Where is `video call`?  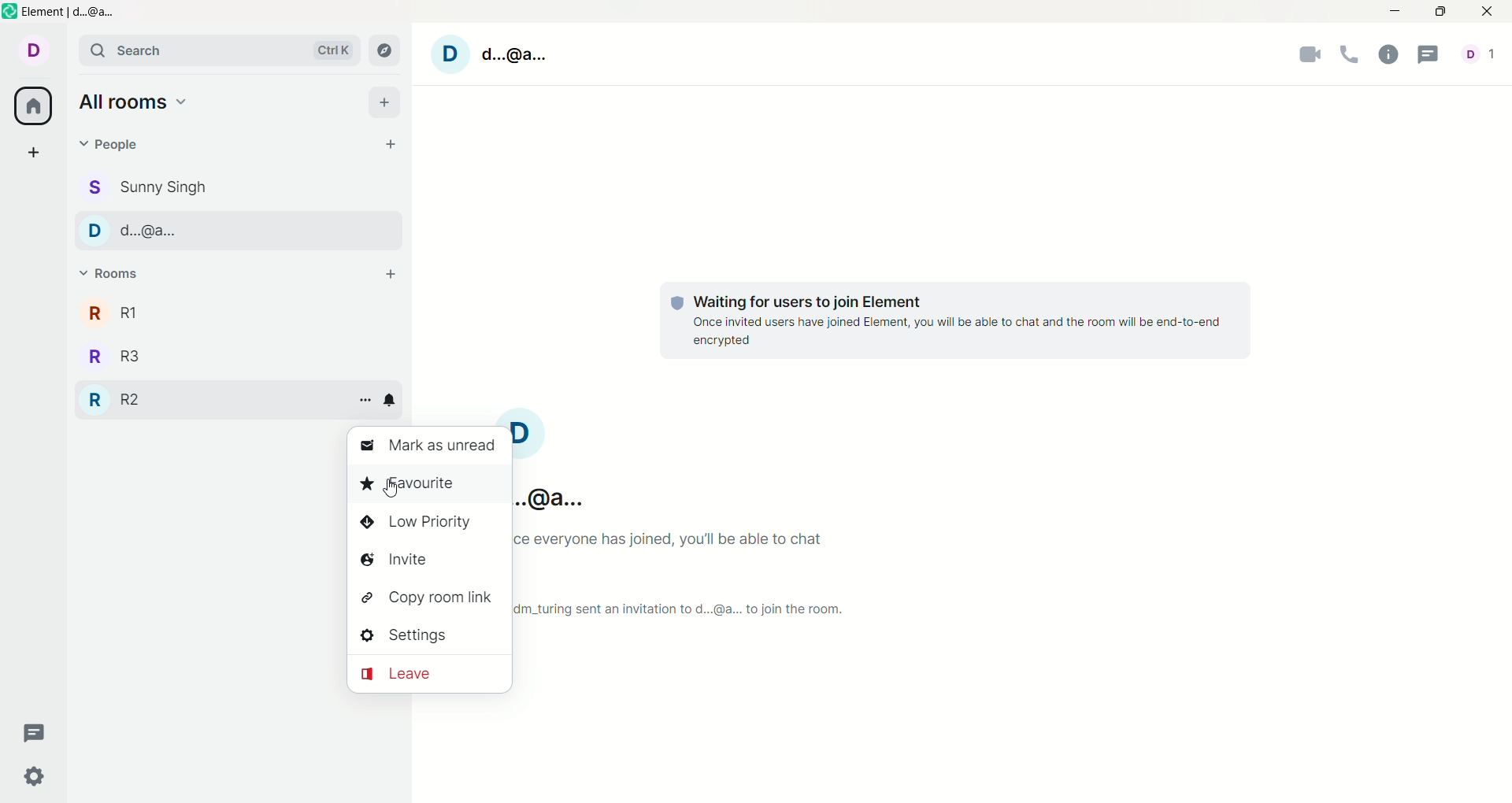 video call is located at coordinates (1310, 57).